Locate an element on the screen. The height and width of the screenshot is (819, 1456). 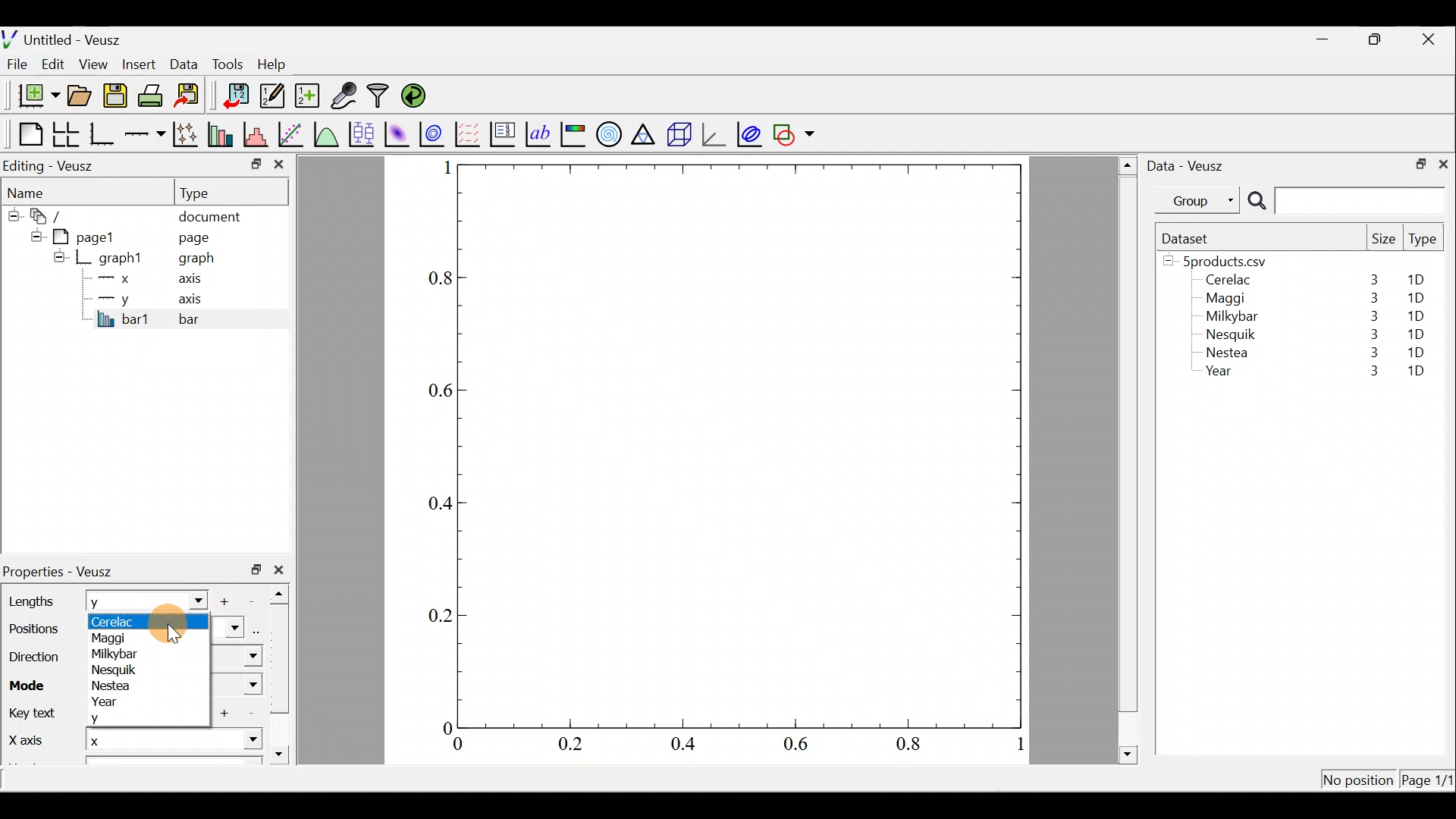
Text label is located at coordinates (540, 132).